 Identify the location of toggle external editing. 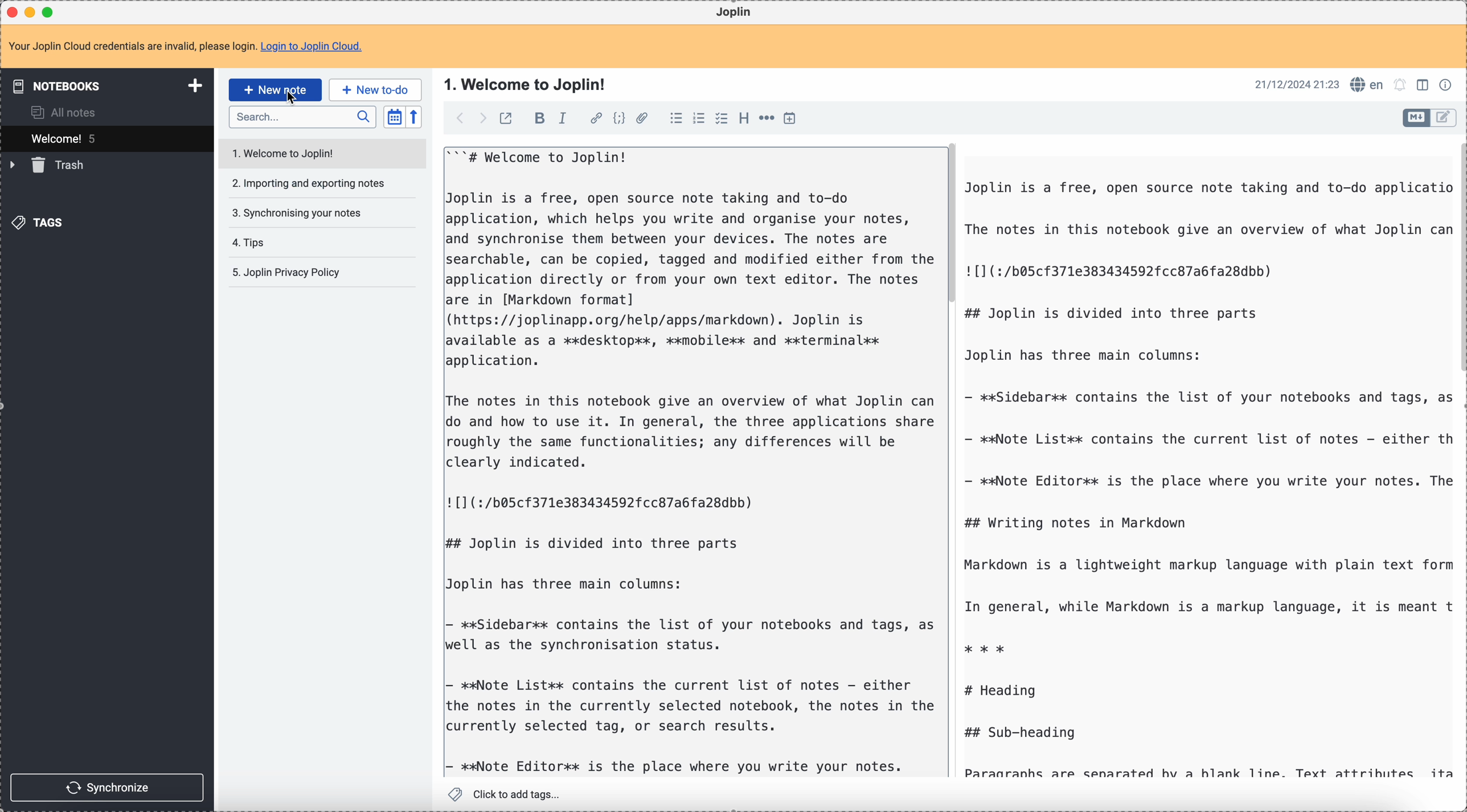
(505, 120).